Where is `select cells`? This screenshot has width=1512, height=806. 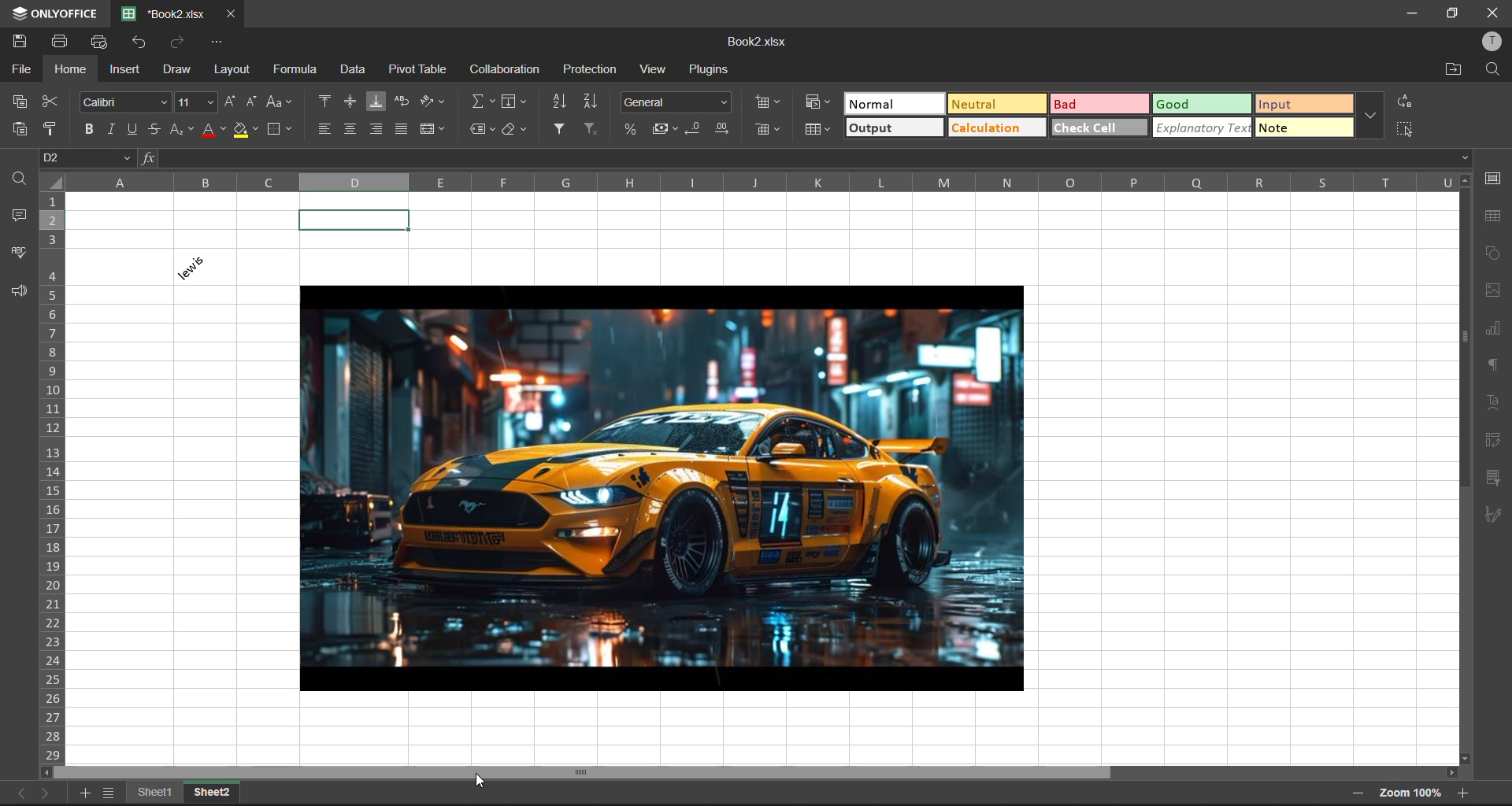
select cells is located at coordinates (1402, 128).